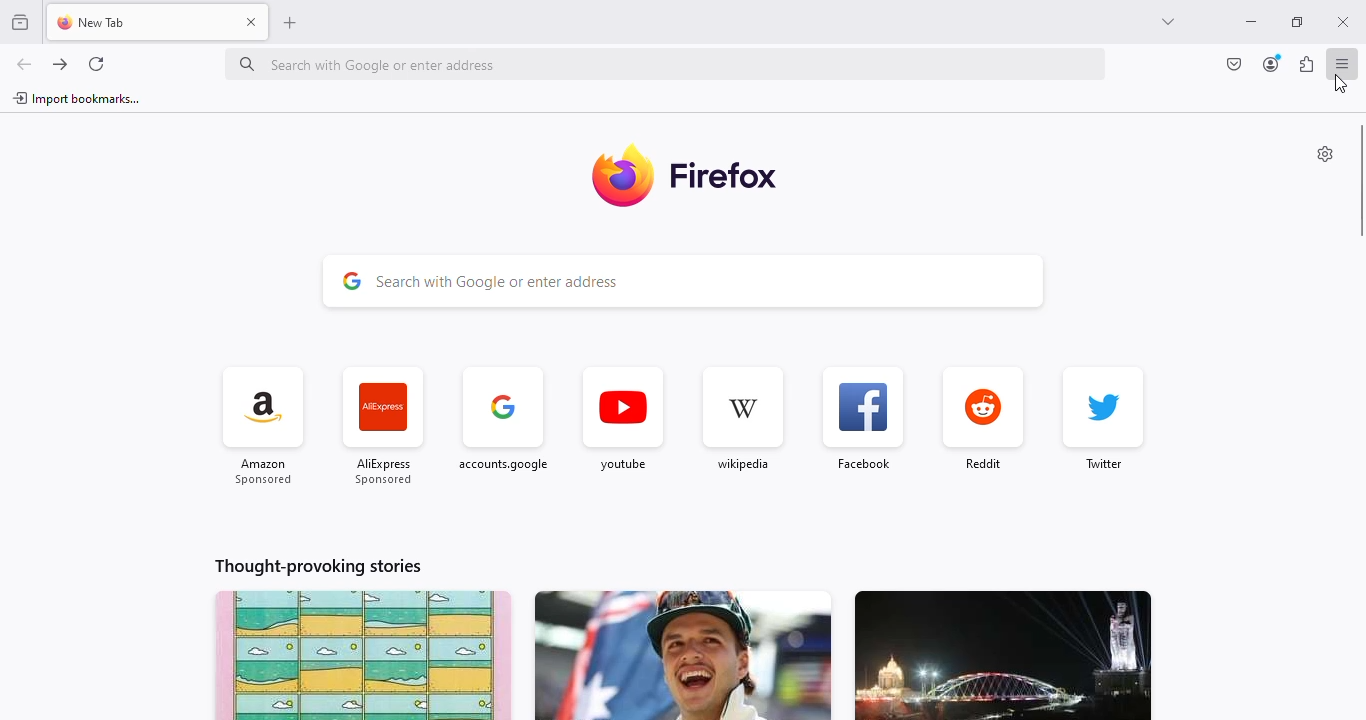 This screenshot has width=1366, height=720. What do you see at coordinates (1342, 63) in the screenshot?
I see `open application menu` at bounding box center [1342, 63].